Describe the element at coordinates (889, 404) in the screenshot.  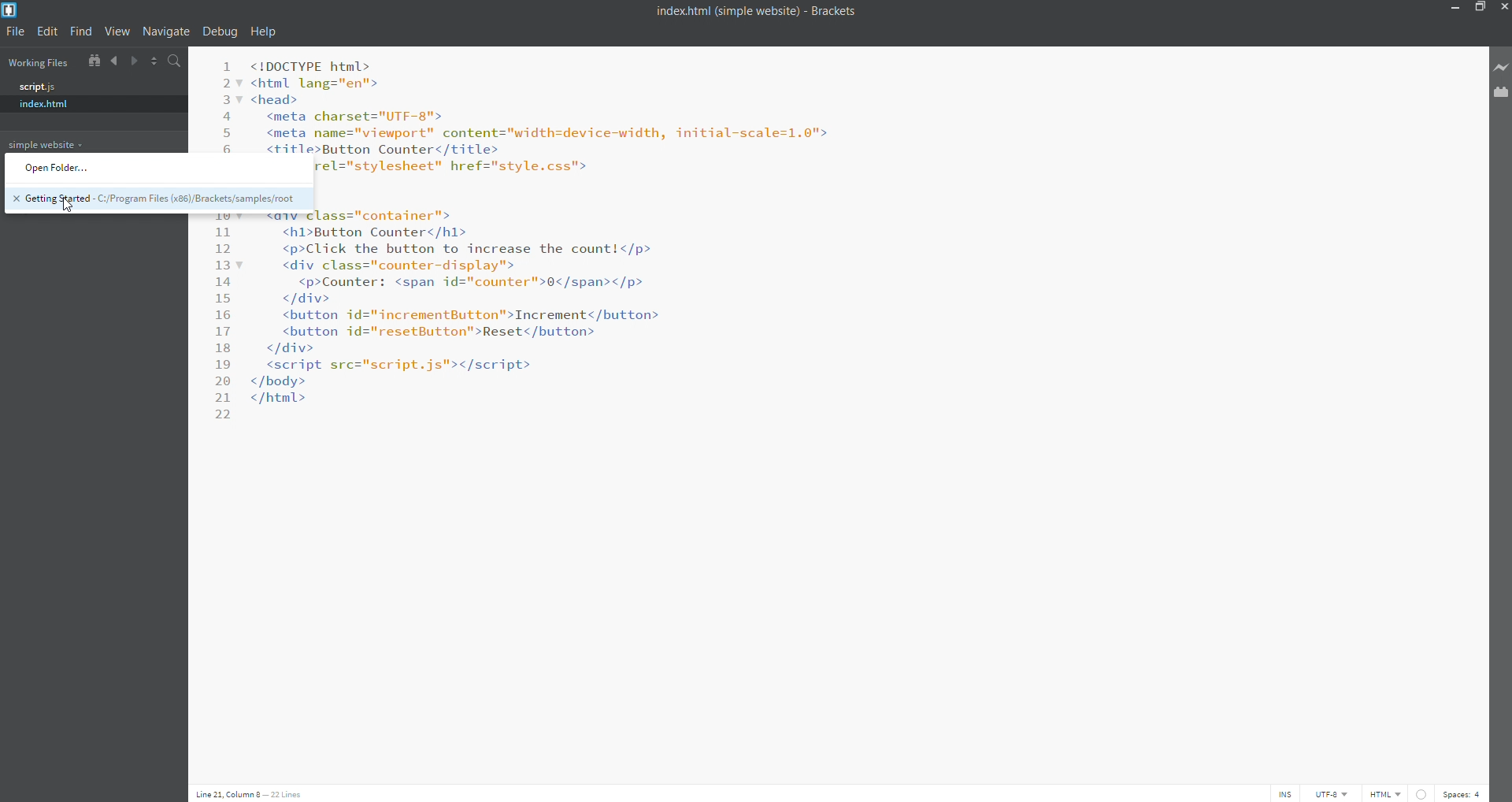
I see `<IDOCTYPE html>
<html lang="en">
<head>
<meta charset="UTF-8">
<meta name="viewport" content="width=device-width, initial-scale=1.0">
<title>Button Counter</title>
<link rel="stylesheet" href="style.css">
</head>
<body>
<div class="container">
<h1>Button Counter</h1>
<p>Click the button to increase the count!</p>
<div class="counter-display">
<p>Counter: <span id="counter">0</span></p>
</div>
<button id="incrementButton">Increment</button>
<button id="resetButton">Reset</button>
</div>
<script sre="script.js"></script>
</body>
</html>` at that location.